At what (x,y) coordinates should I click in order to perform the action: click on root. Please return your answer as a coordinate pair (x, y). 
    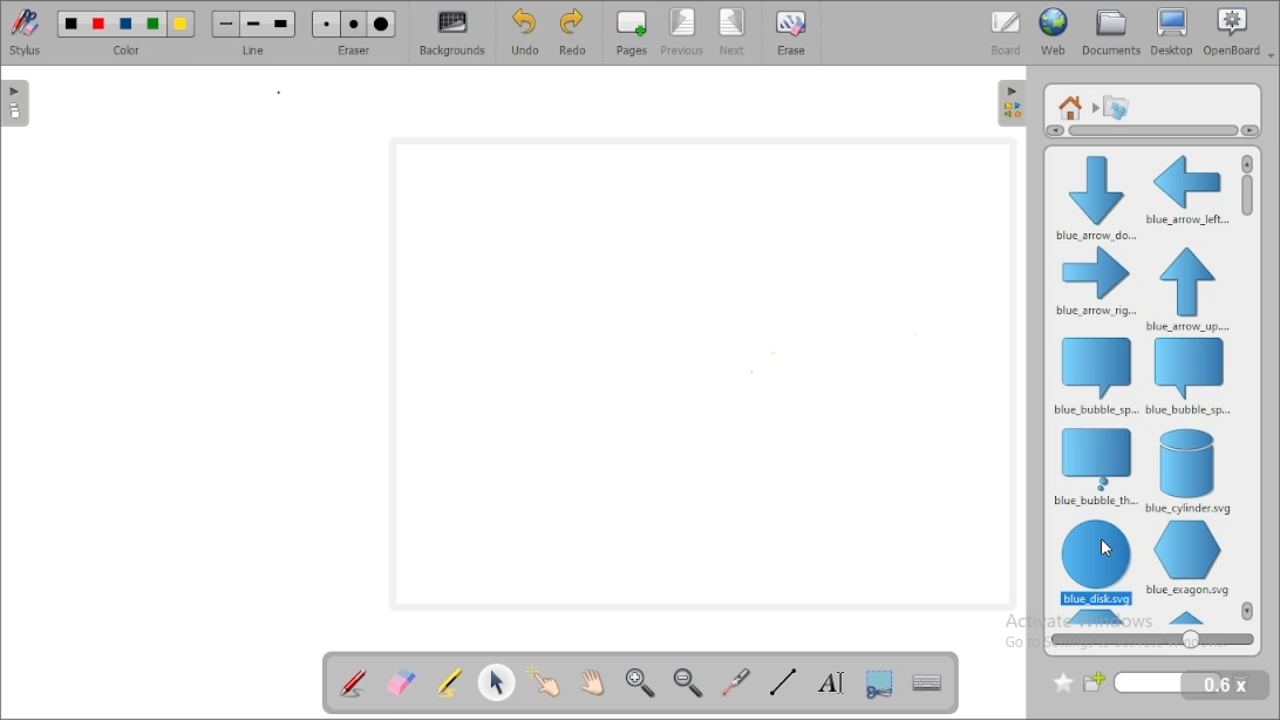
    Looking at the image, I should click on (1071, 107).